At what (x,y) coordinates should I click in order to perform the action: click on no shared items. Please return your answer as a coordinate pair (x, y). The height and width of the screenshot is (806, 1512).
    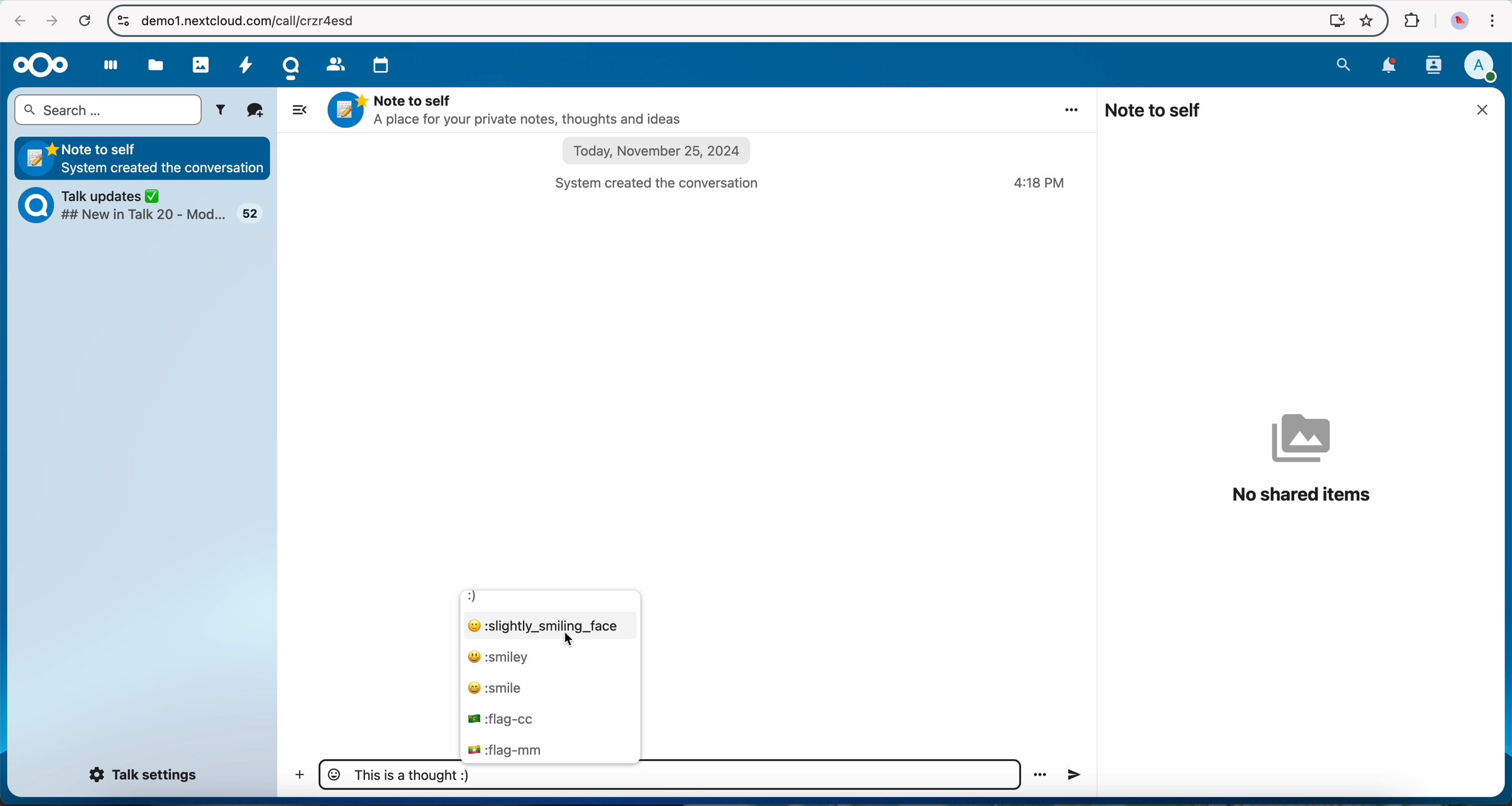
    Looking at the image, I should click on (1302, 458).